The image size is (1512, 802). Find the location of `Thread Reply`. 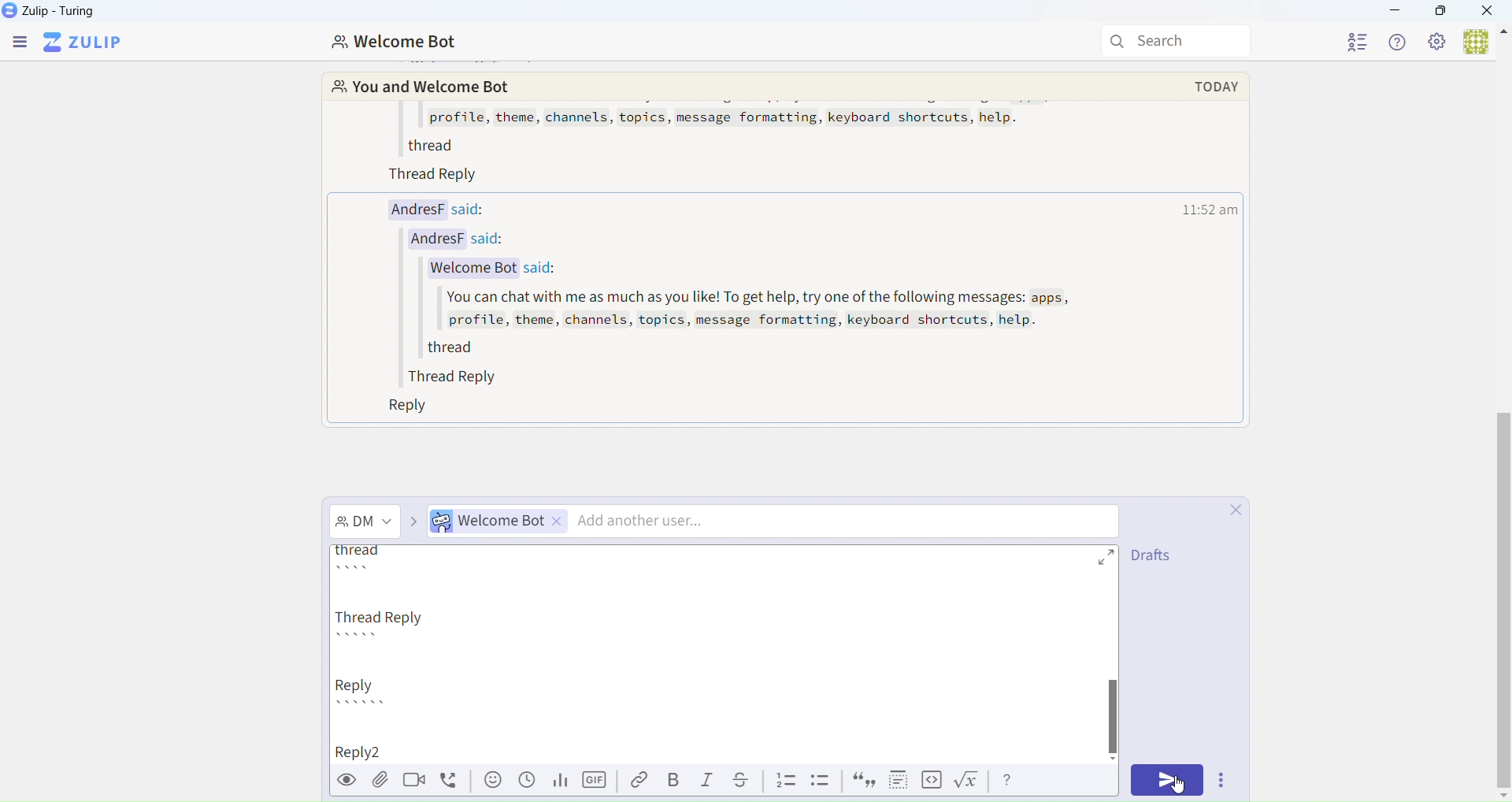

Thread Reply is located at coordinates (440, 177).